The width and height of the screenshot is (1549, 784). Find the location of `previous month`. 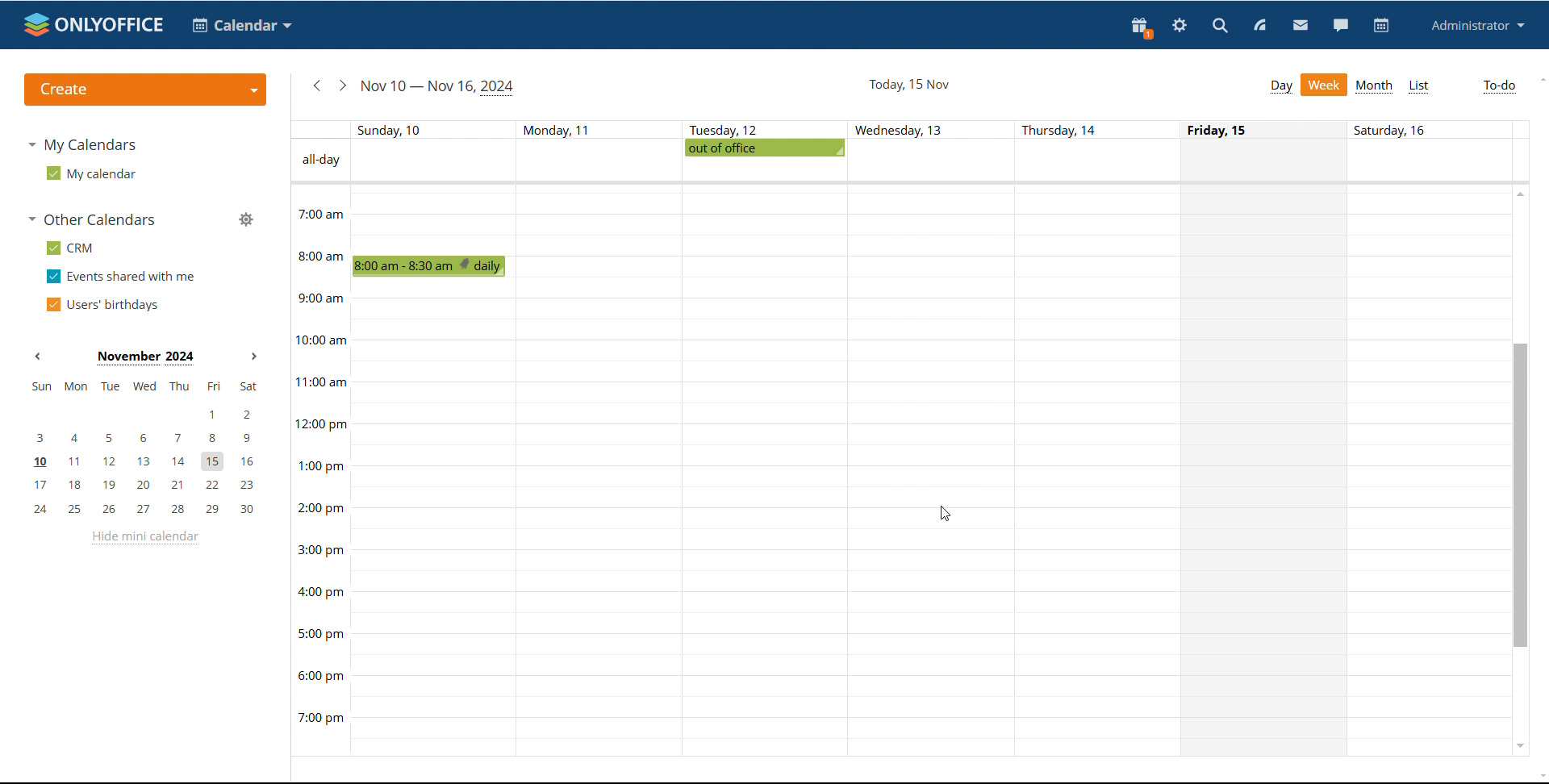

previous month is located at coordinates (39, 356).